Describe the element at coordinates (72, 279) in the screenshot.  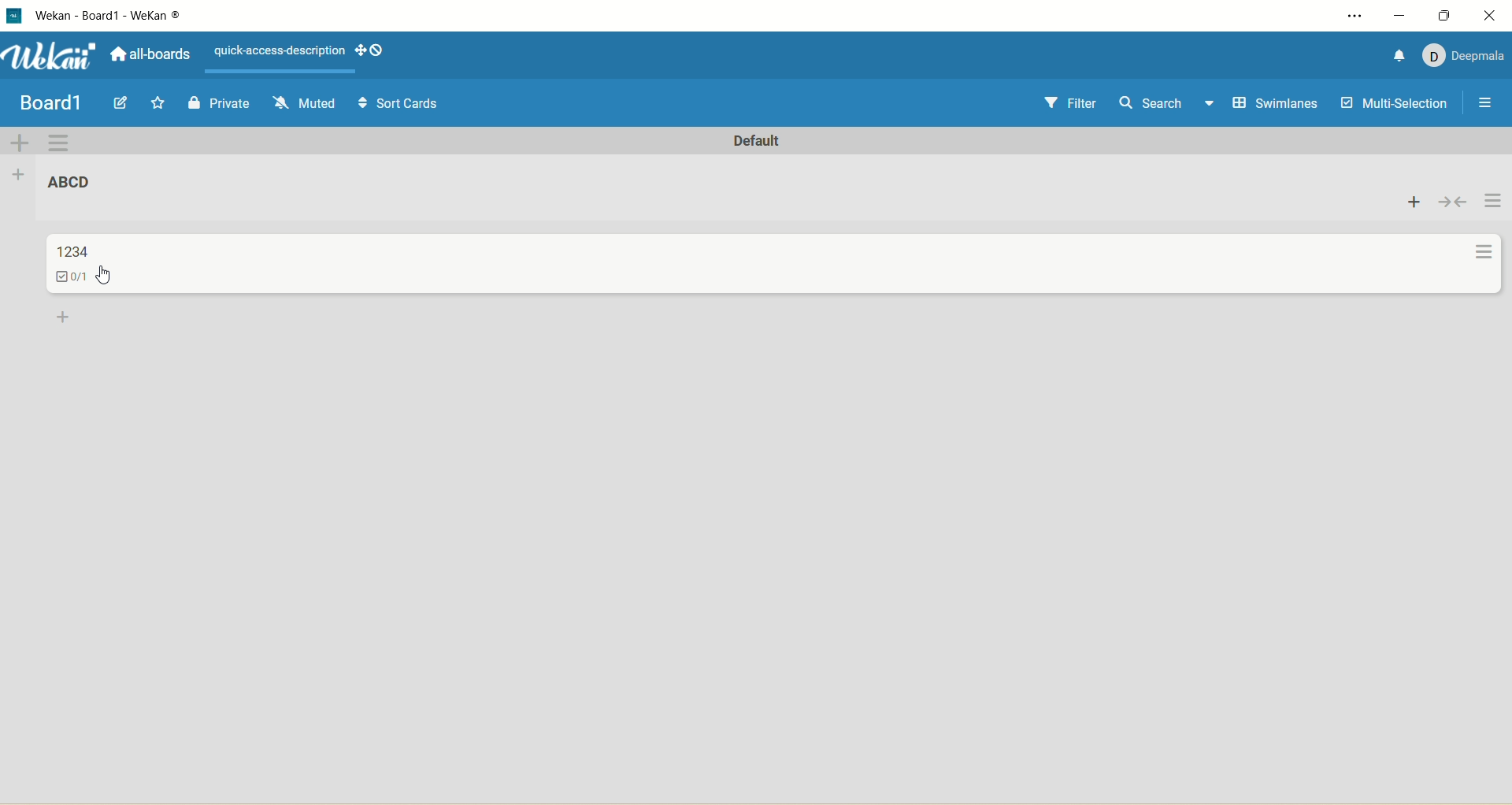
I see `checklist` at that location.